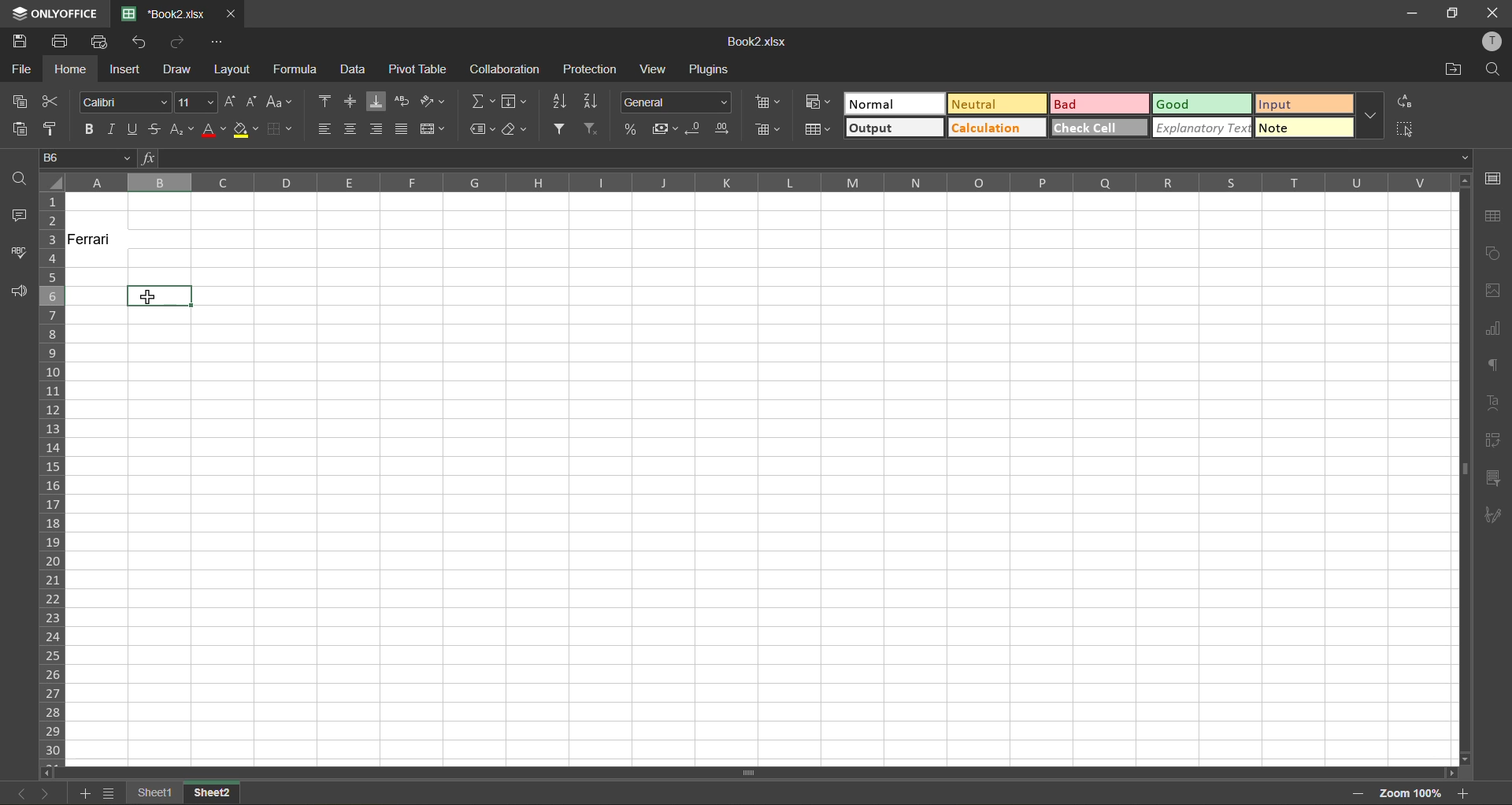  What do you see at coordinates (1462, 182) in the screenshot?
I see `scroll up` at bounding box center [1462, 182].